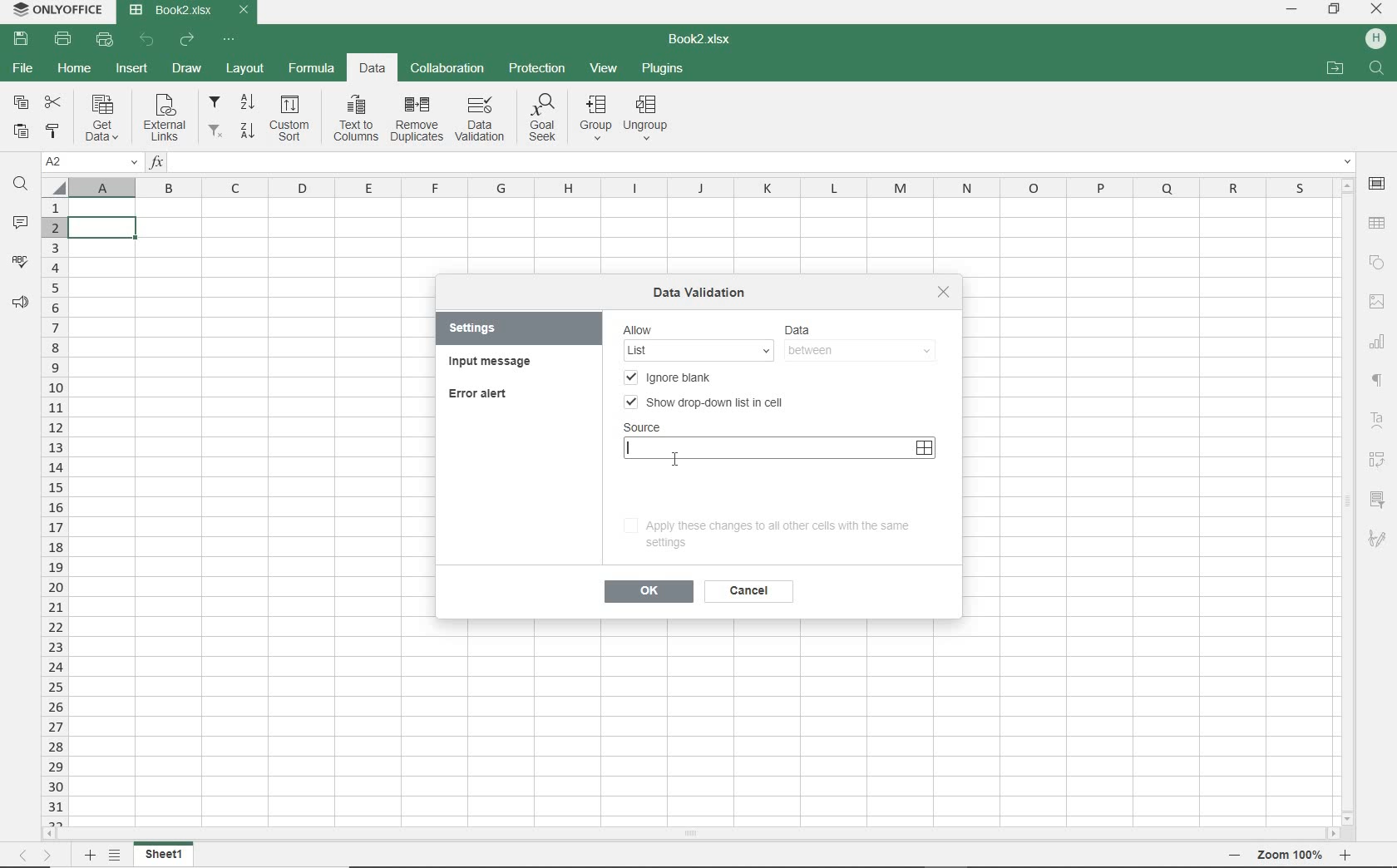  I want to click on SHAPE, so click(1377, 264).